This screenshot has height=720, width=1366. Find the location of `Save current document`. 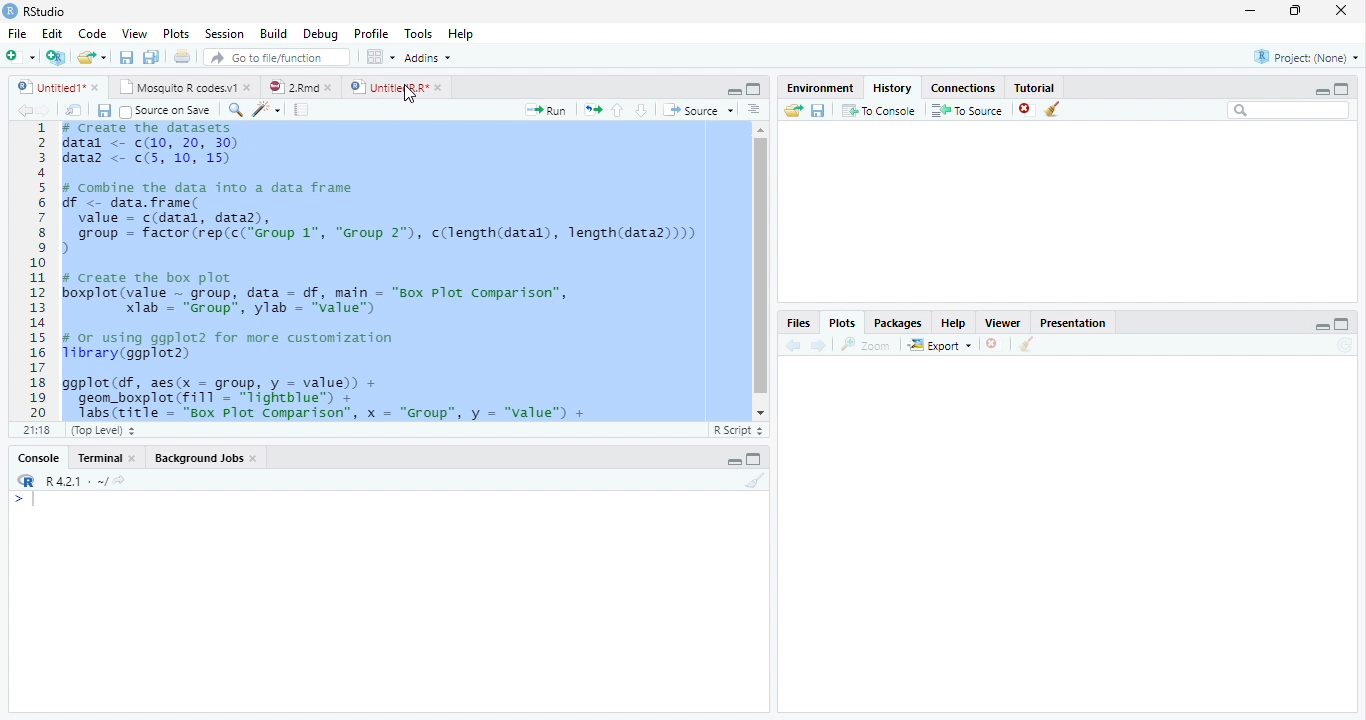

Save current document is located at coordinates (103, 110).